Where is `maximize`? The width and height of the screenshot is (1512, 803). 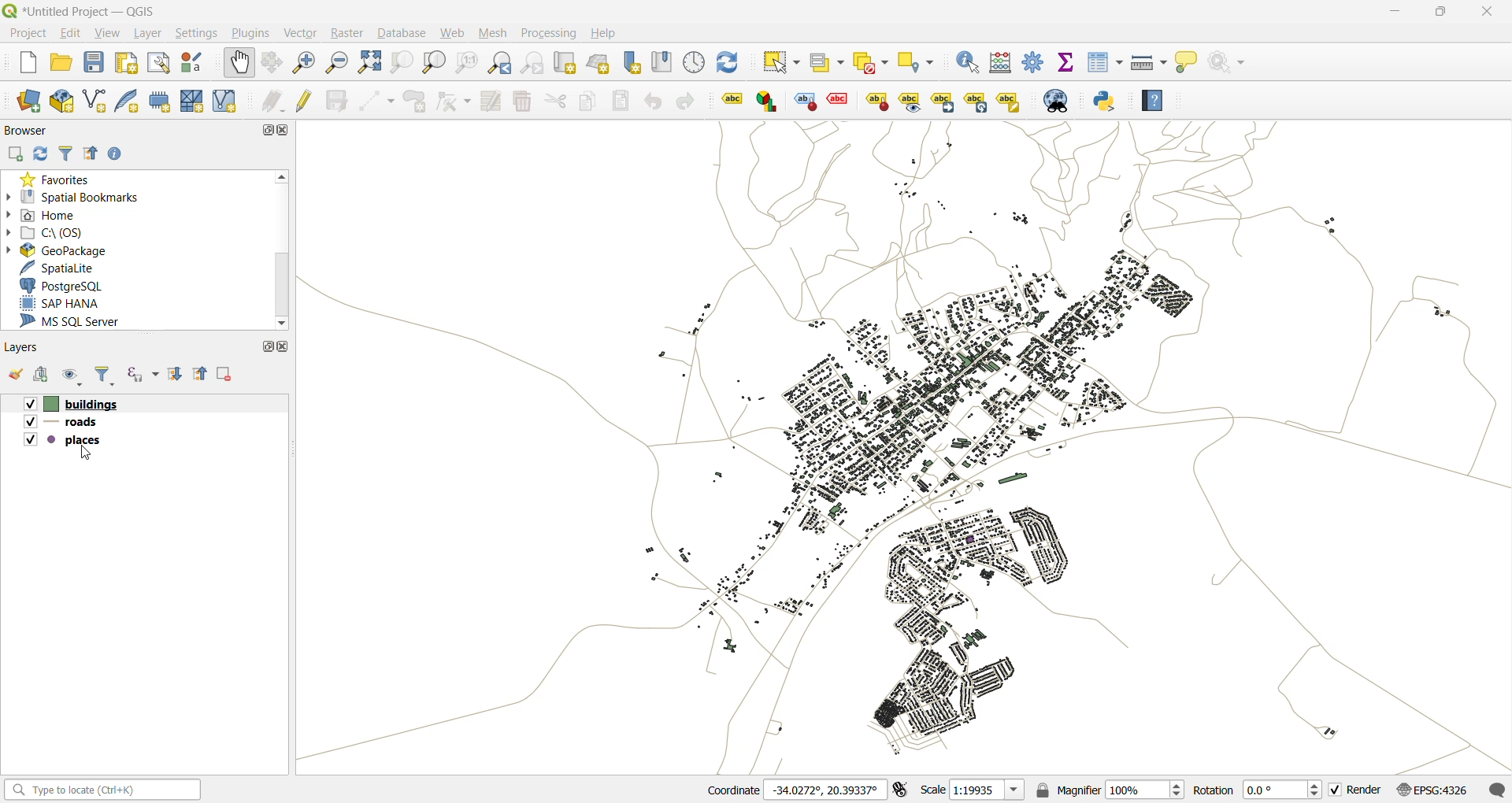 maximize is located at coordinates (1440, 13).